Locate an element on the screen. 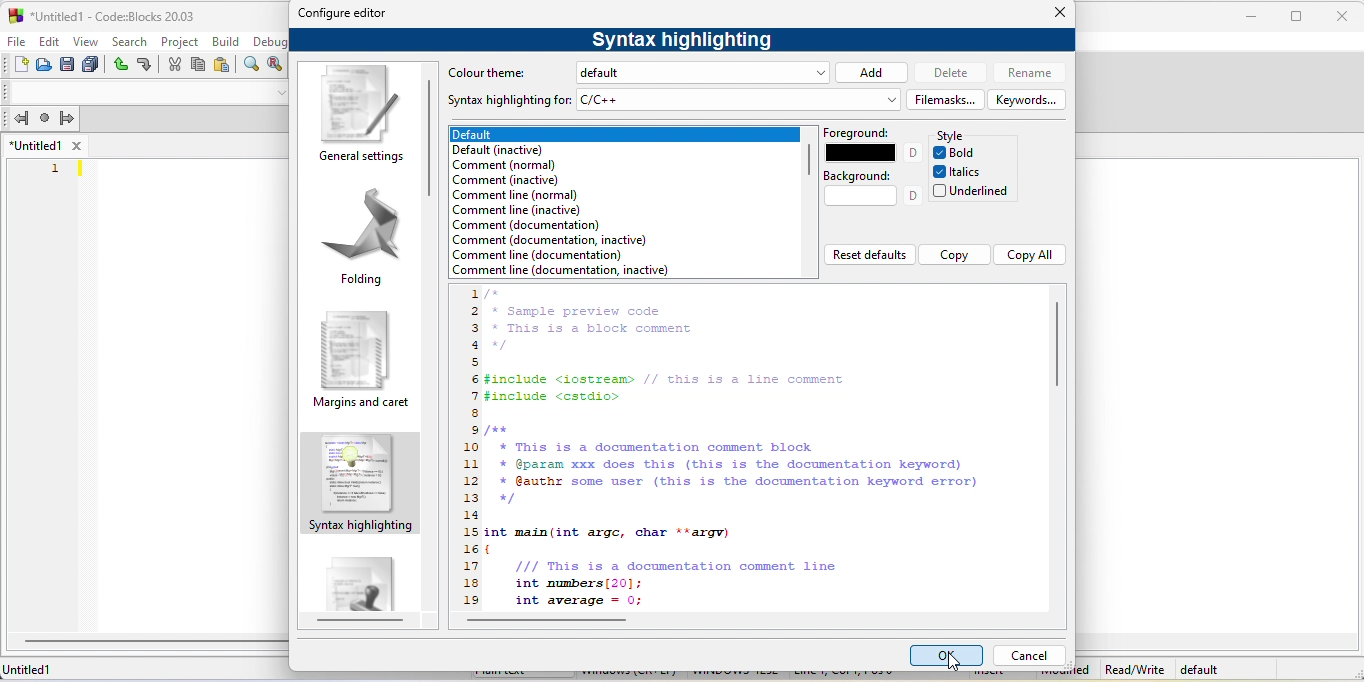  comment documentation inactive is located at coordinates (549, 240).